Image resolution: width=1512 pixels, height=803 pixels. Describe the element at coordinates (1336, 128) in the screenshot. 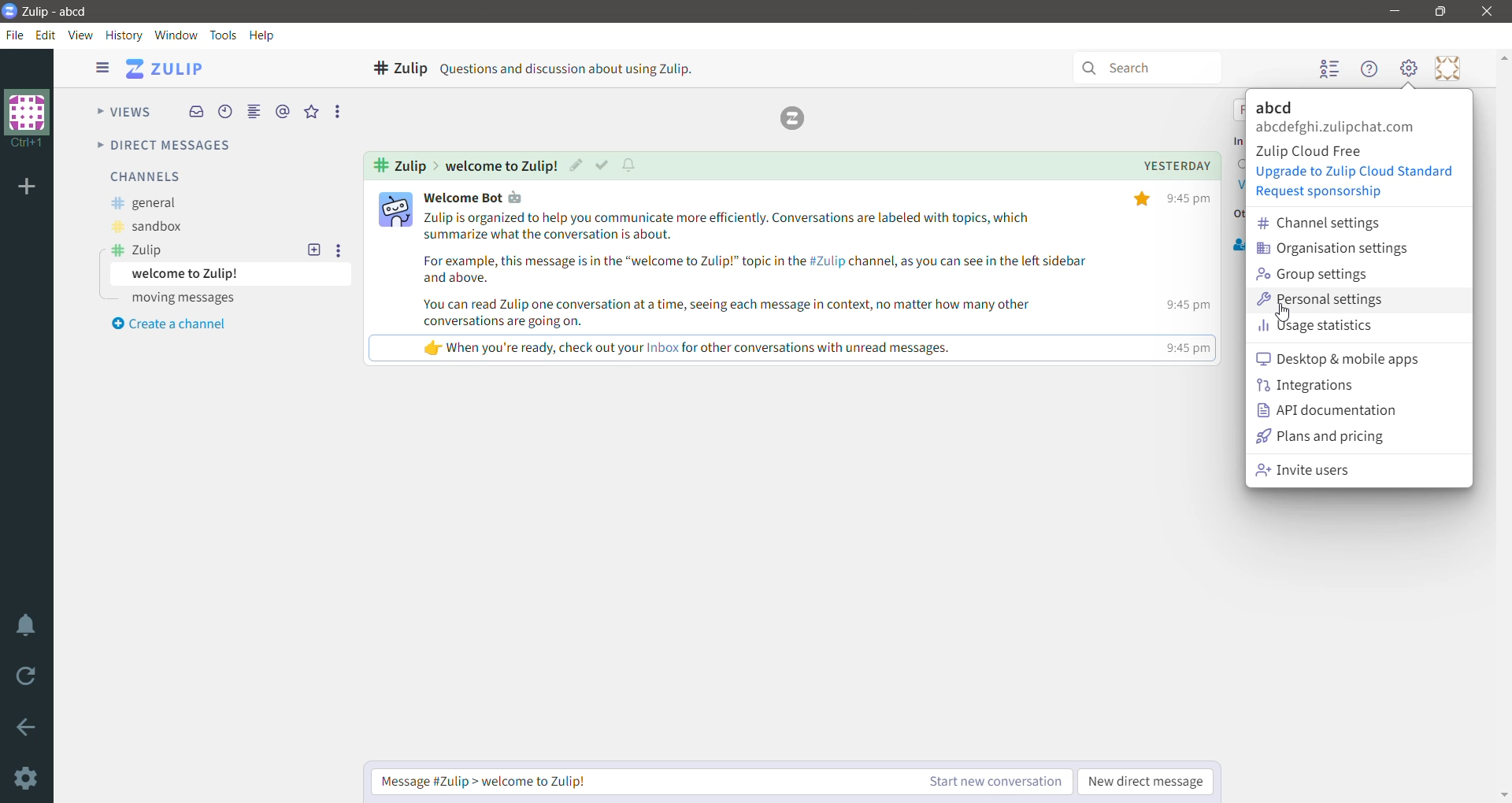

I see `abcdefghi.zulipchat.com(Logged in account)` at that location.